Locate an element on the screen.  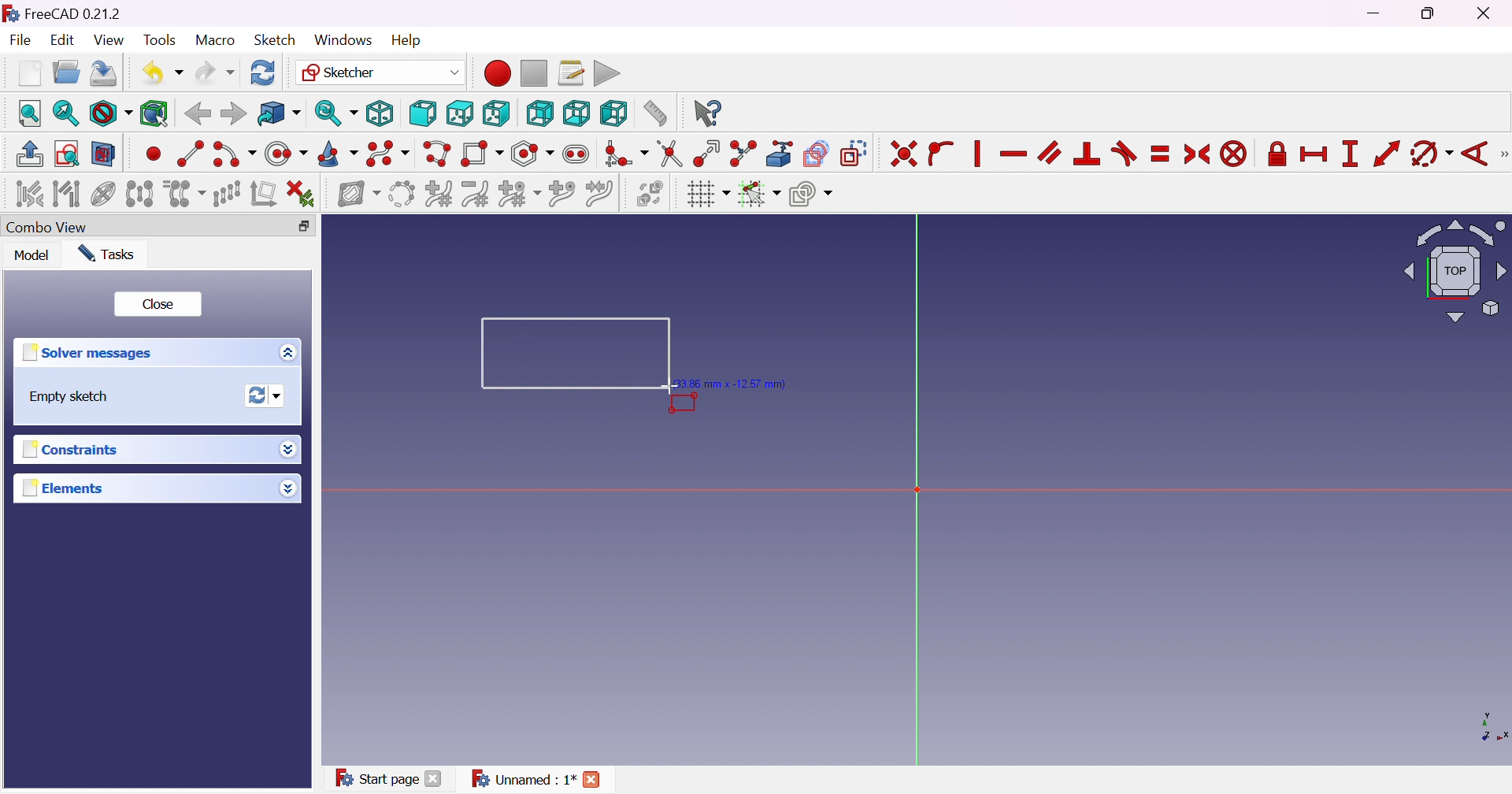
Create line is located at coordinates (189, 152).